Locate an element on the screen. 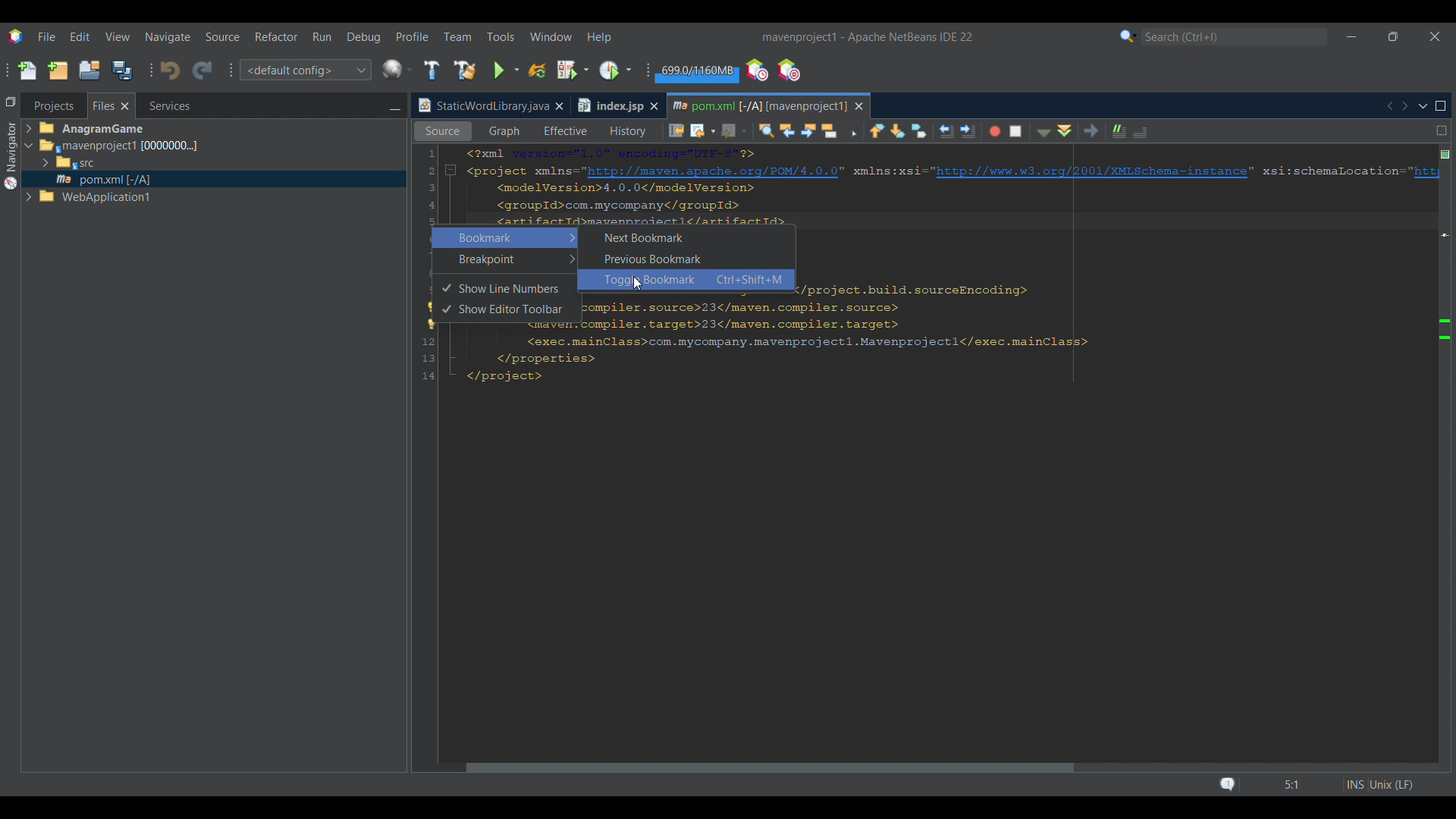 The width and height of the screenshot is (1456, 819). History view is located at coordinates (624, 129).